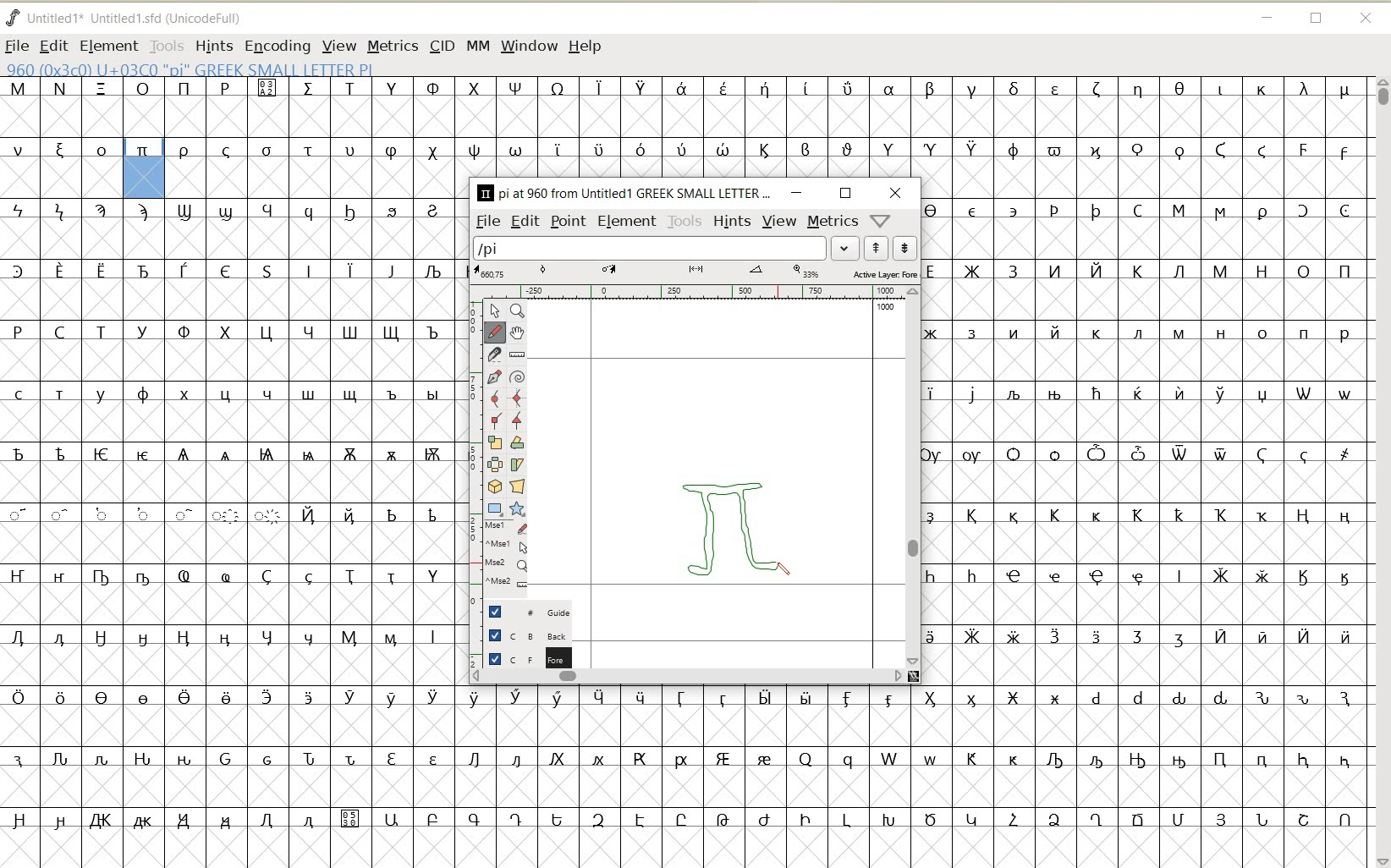 The image size is (1391, 868). Describe the element at coordinates (587, 45) in the screenshot. I see `HELP` at that location.